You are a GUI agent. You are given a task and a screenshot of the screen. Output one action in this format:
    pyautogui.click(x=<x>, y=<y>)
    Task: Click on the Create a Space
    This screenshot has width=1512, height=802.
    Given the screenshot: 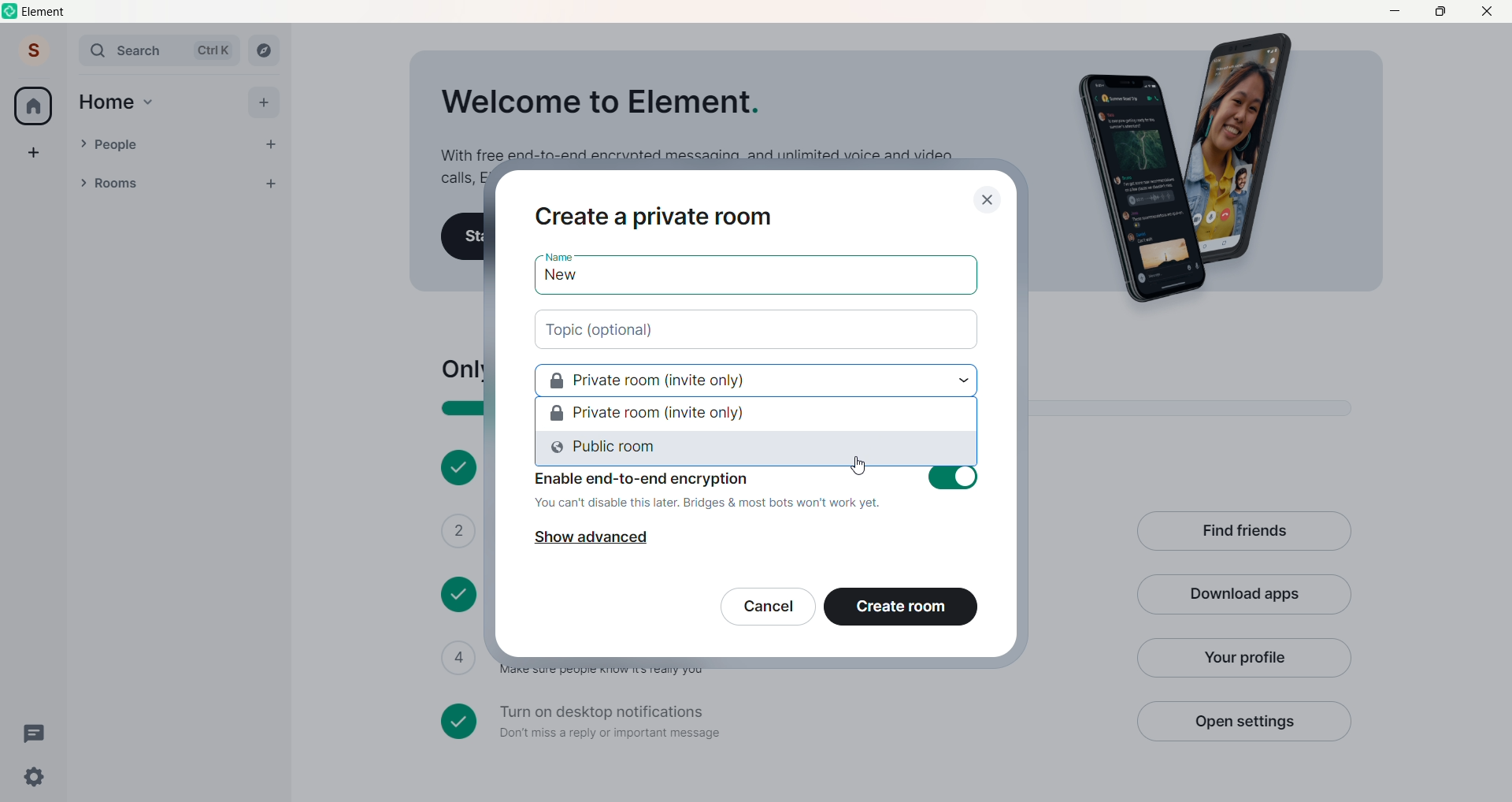 What is the action you would take?
    pyautogui.click(x=34, y=152)
    